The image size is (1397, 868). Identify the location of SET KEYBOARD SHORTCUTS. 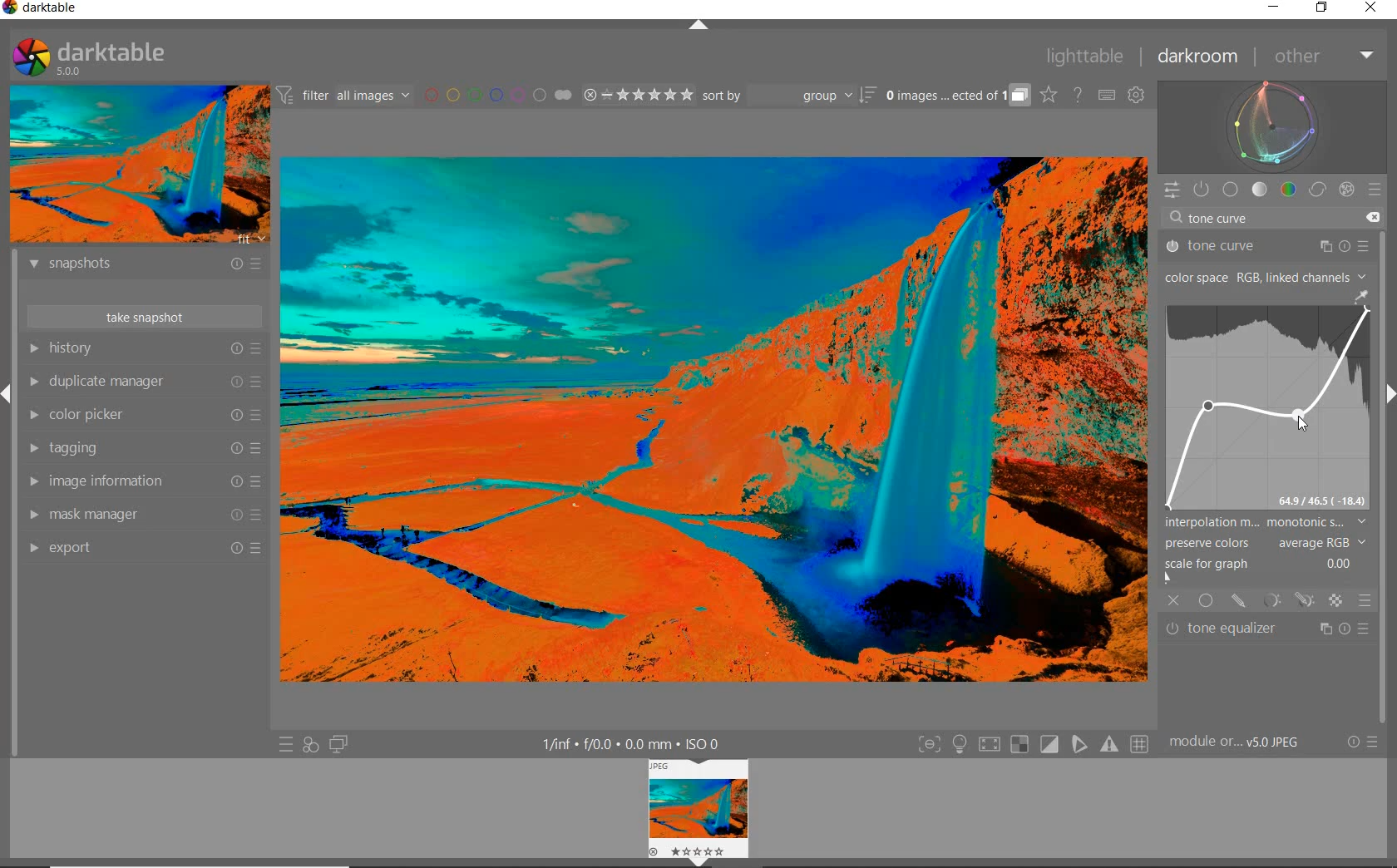
(1108, 96).